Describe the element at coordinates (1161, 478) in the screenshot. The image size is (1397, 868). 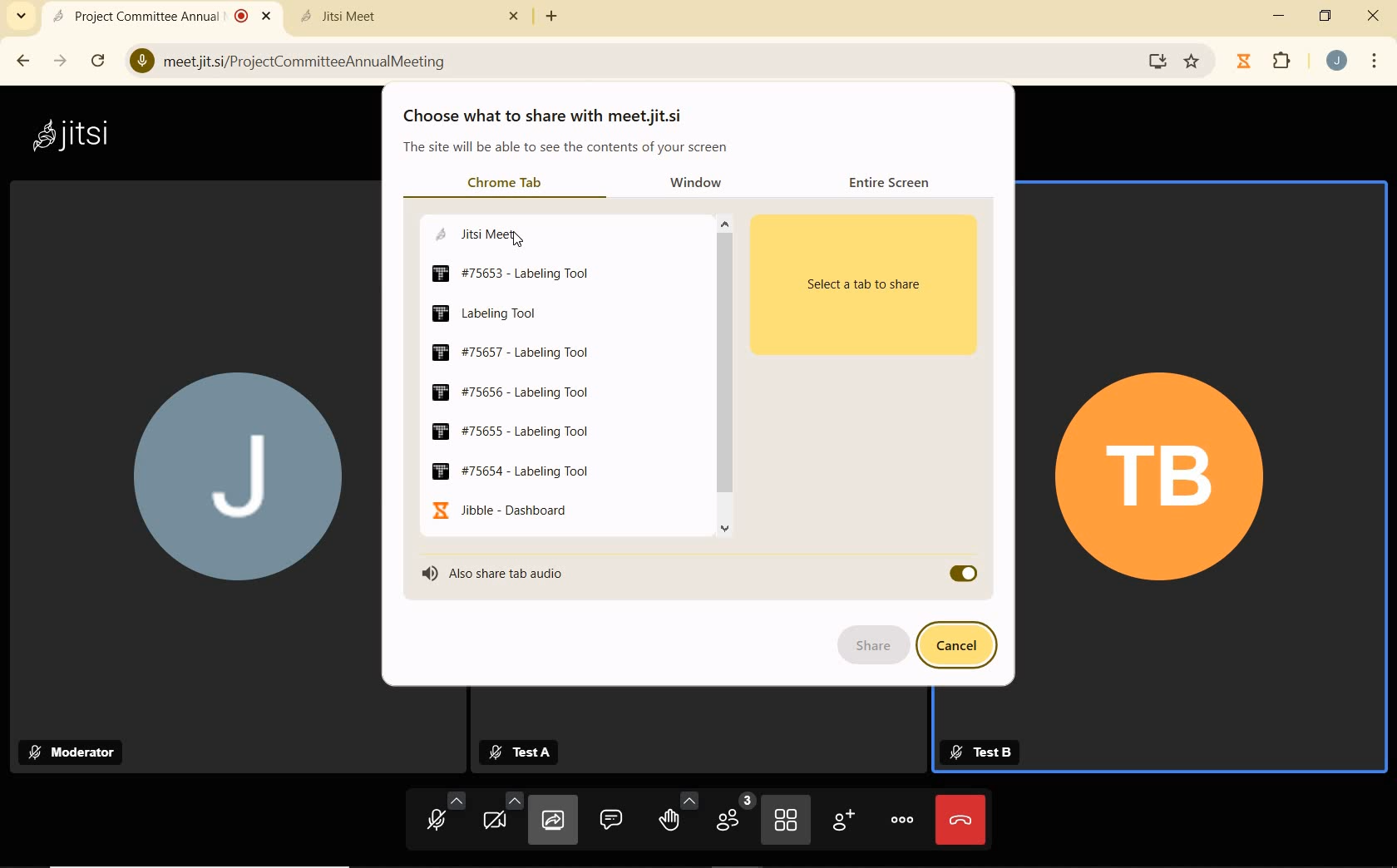
I see `TB` at that location.